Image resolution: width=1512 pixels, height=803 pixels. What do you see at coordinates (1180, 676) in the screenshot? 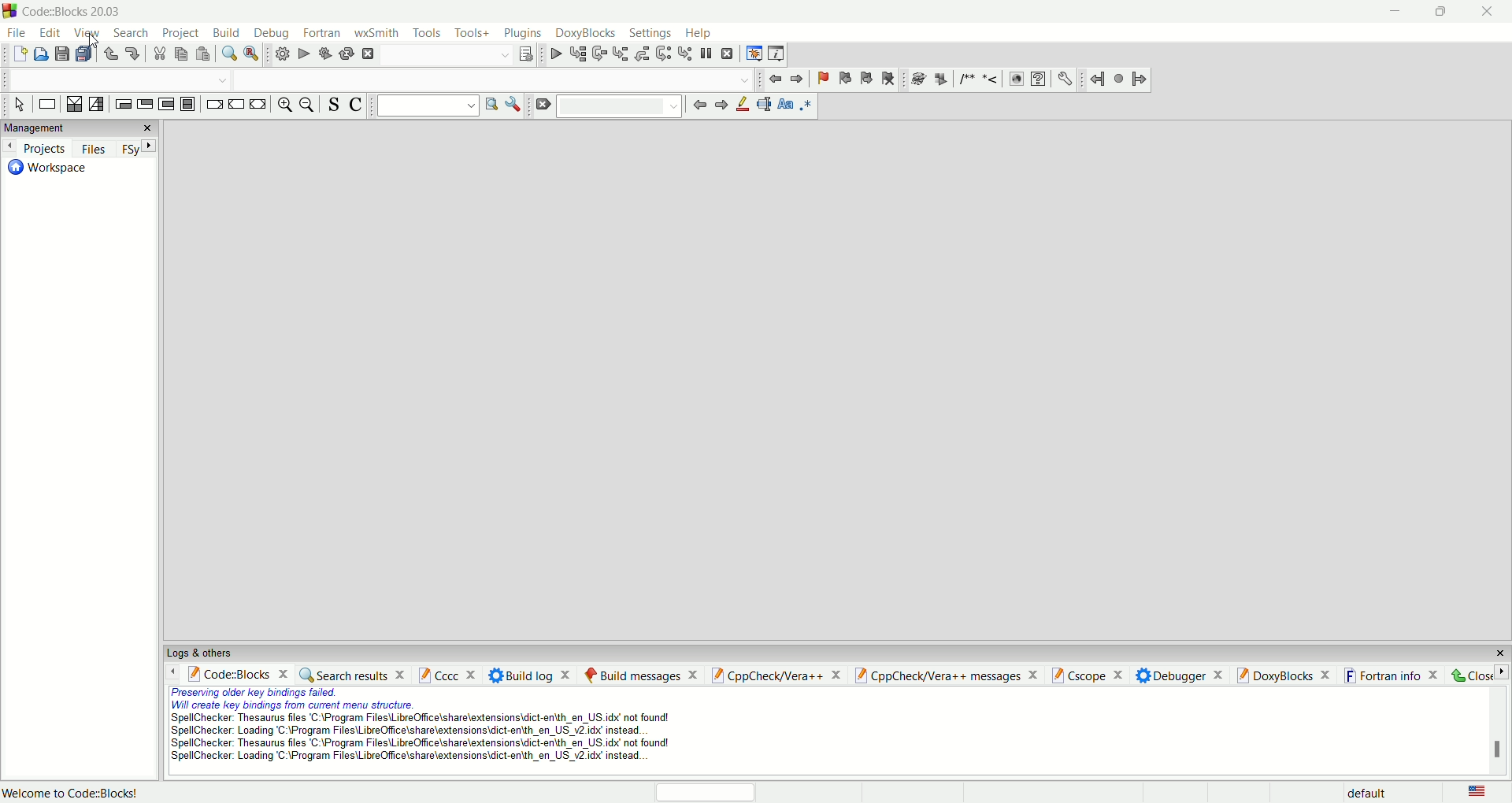
I see `debugger` at bounding box center [1180, 676].